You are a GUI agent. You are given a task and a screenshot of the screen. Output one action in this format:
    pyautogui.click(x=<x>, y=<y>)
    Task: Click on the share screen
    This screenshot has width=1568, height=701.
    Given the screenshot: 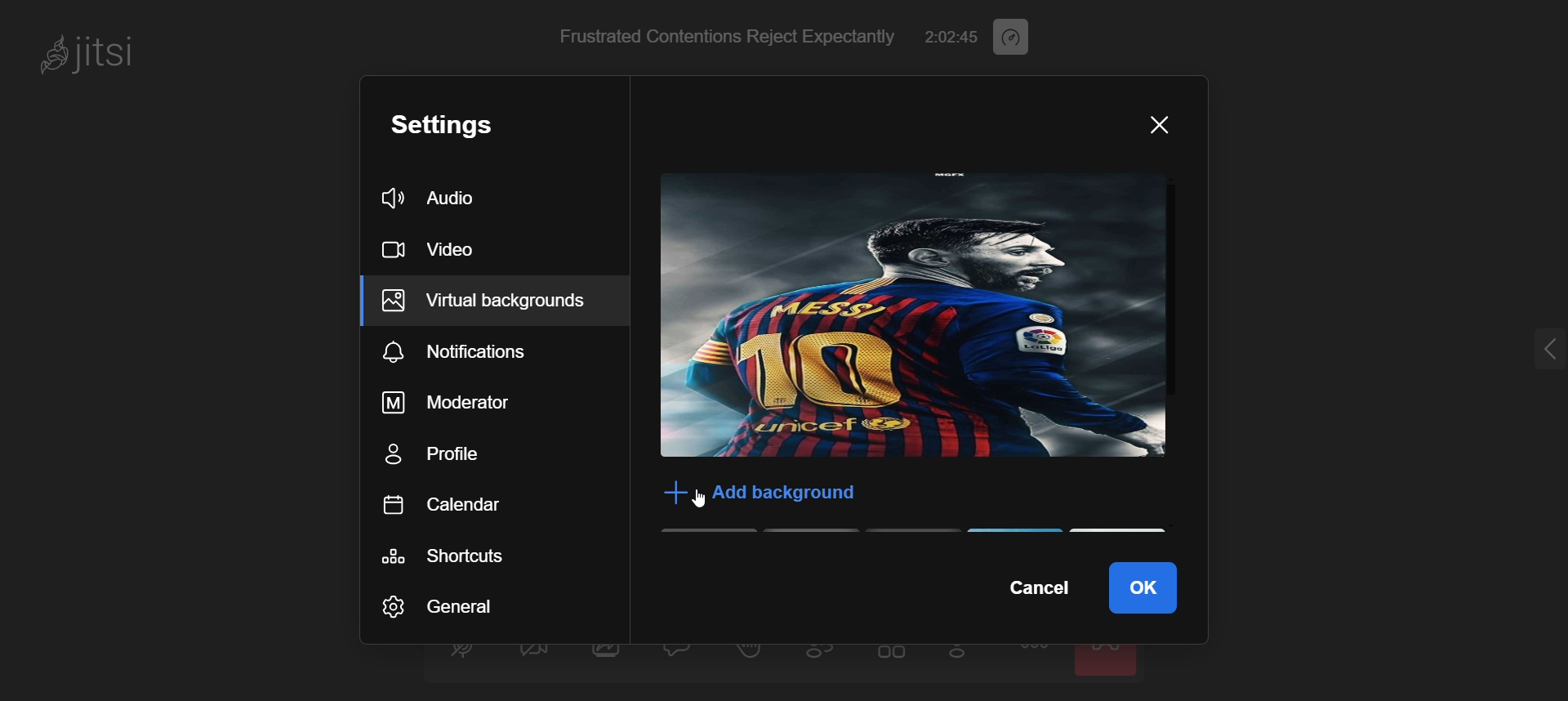 What is the action you would take?
    pyautogui.click(x=608, y=658)
    